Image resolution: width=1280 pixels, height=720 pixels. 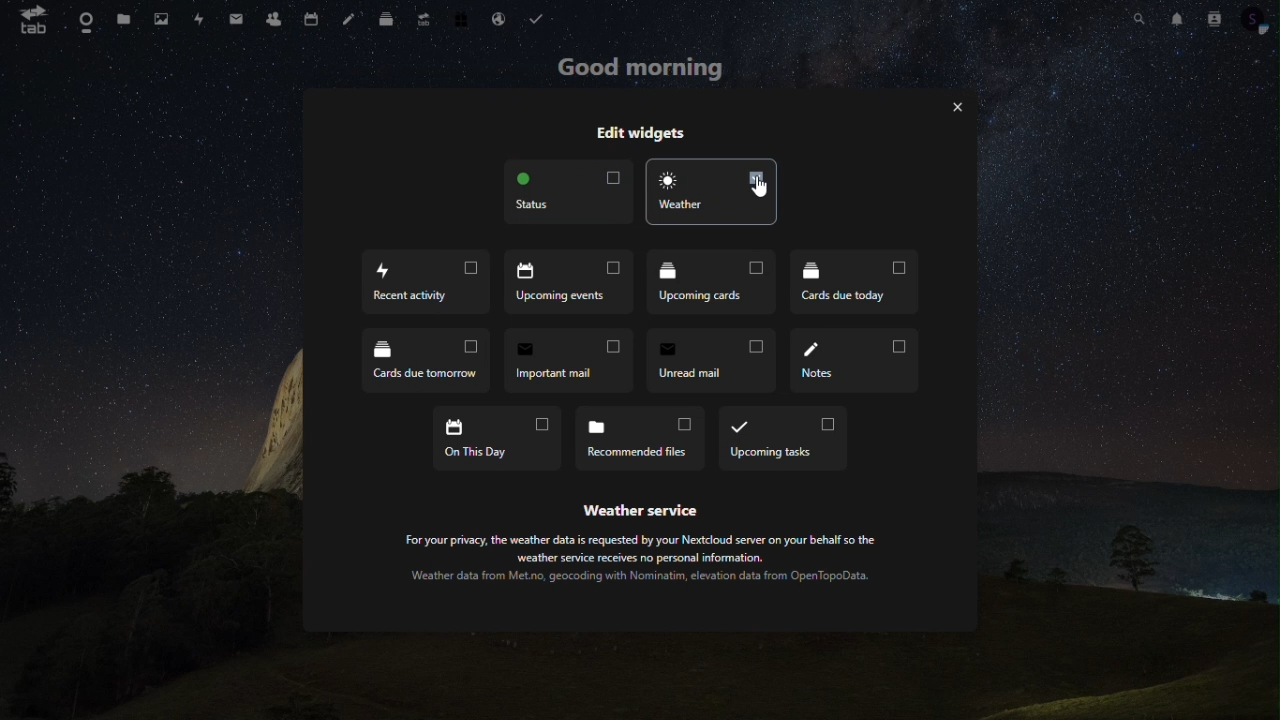 I want to click on weather service info, so click(x=648, y=546).